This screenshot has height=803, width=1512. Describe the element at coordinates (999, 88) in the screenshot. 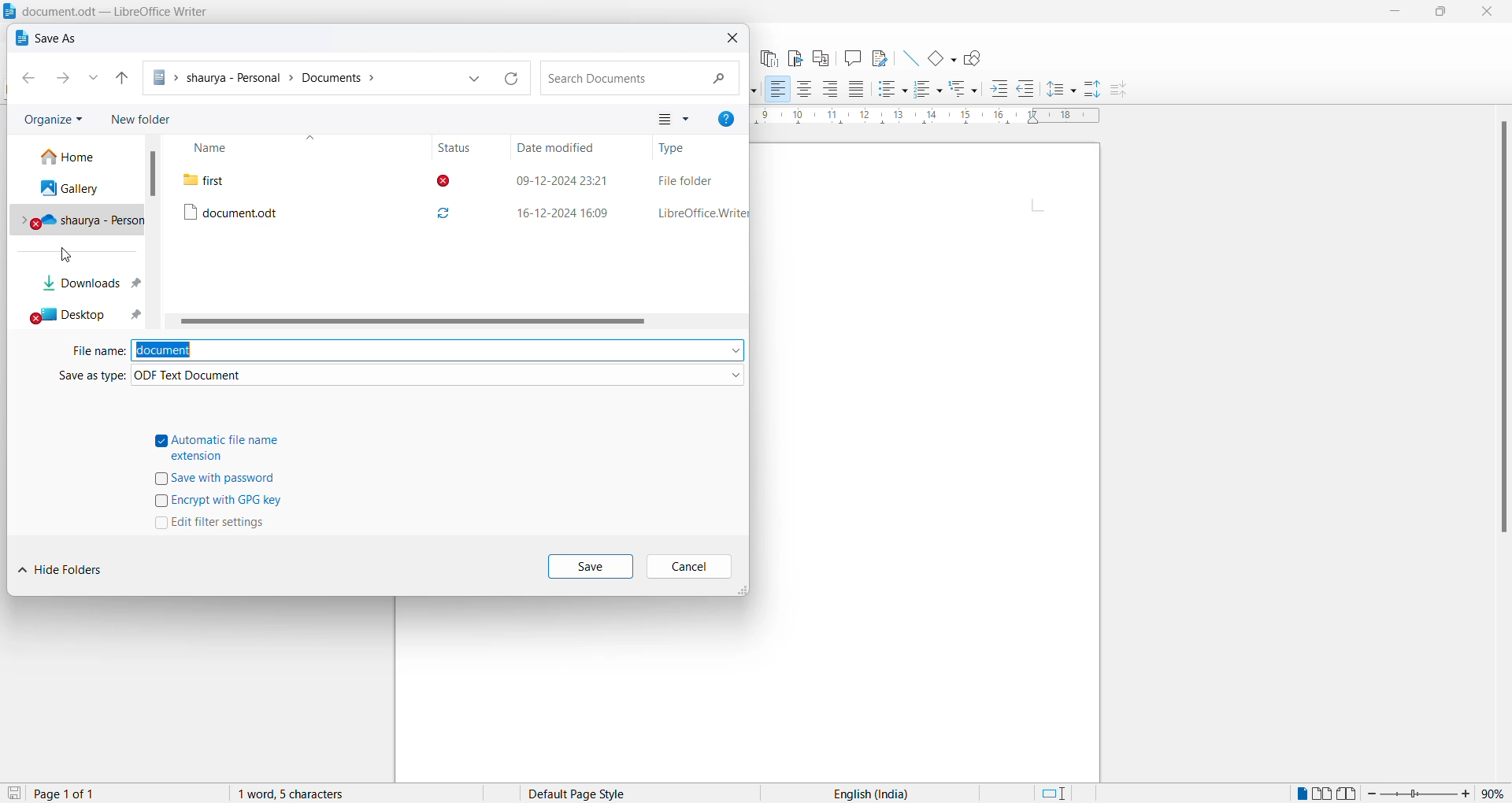

I see `Increase indent` at that location.